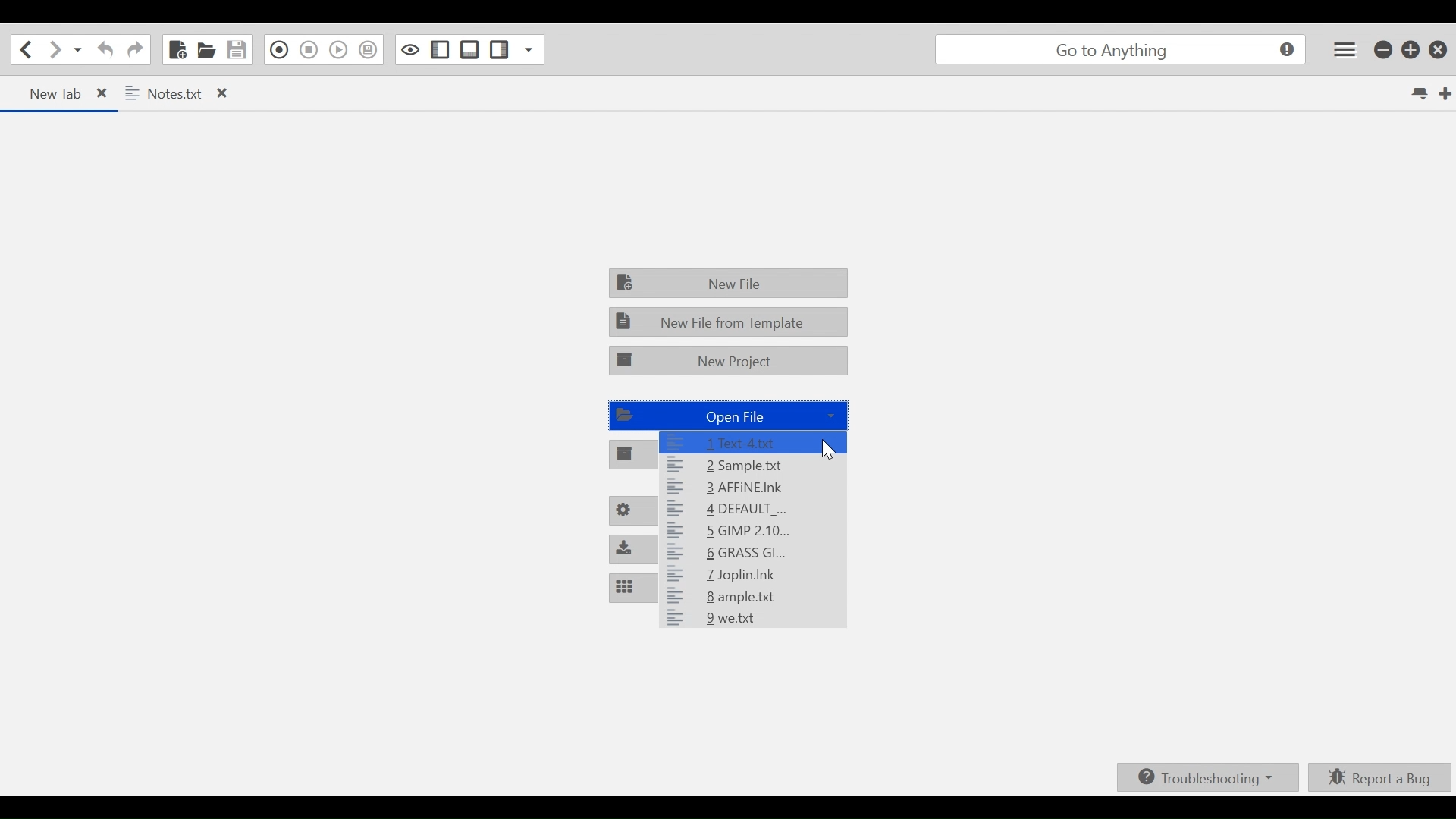  Describe the element at coordinates (633, 456) in the screenshot. I see `Open Project` at that location.